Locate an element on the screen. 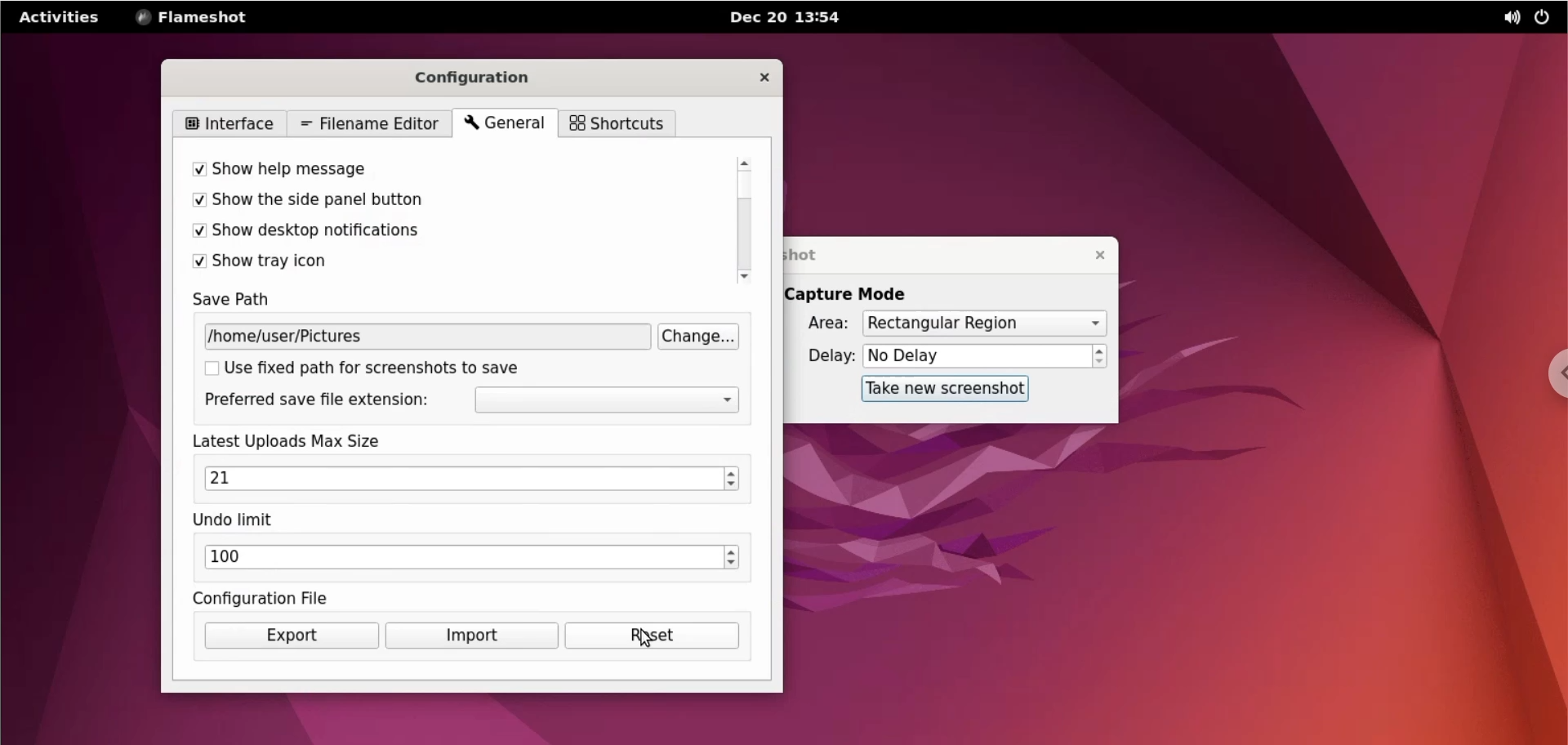 The height and width of the screenshot is (745, 1568). take new screenshot is located at coordinates (942, 390).